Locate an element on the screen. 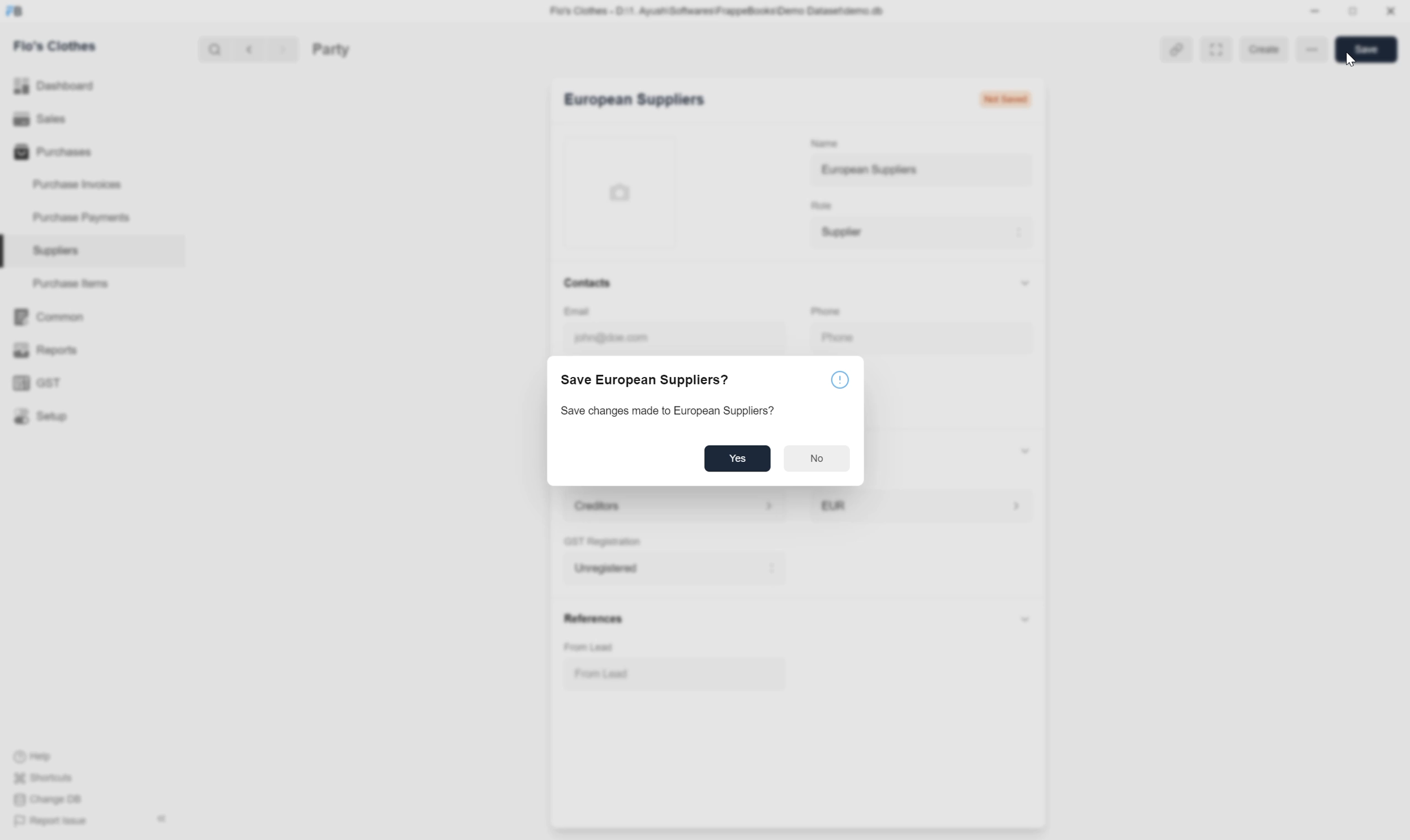  Unregistered is located at coordinates (604, 567).